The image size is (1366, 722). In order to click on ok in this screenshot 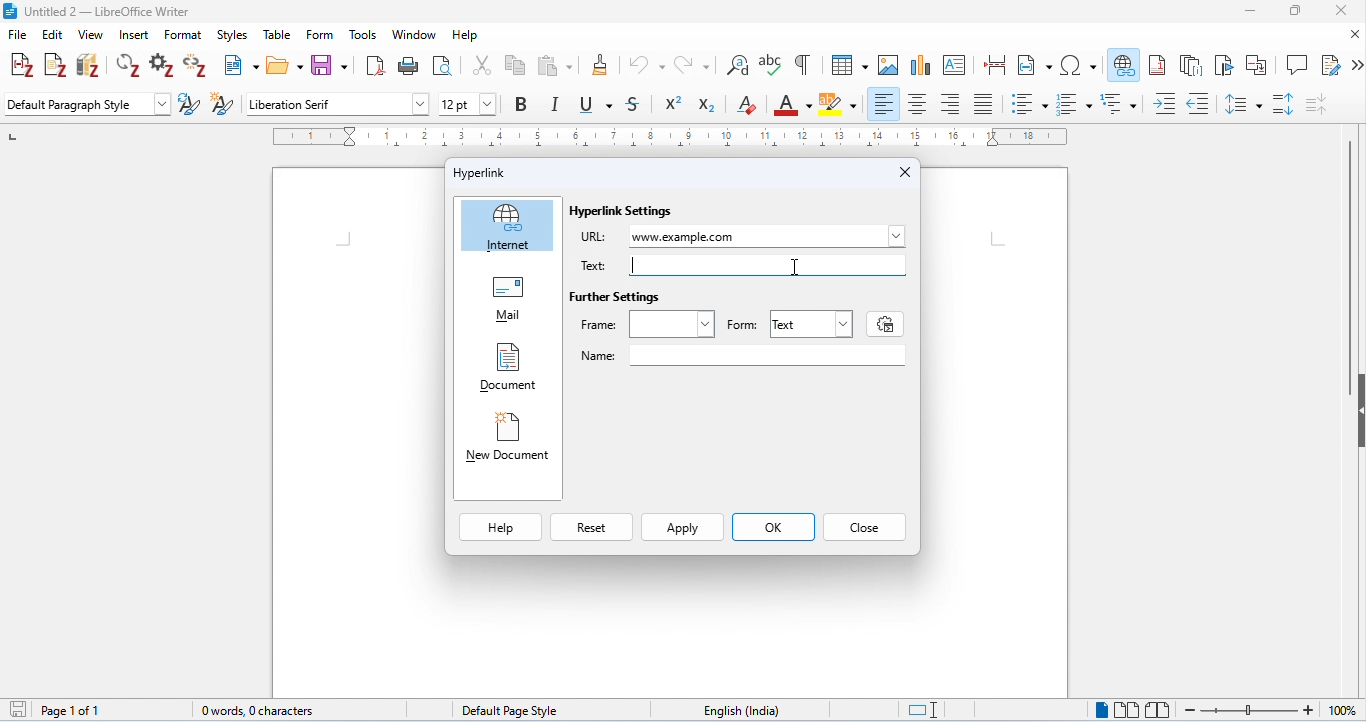, I will do `click(776, 525)`.